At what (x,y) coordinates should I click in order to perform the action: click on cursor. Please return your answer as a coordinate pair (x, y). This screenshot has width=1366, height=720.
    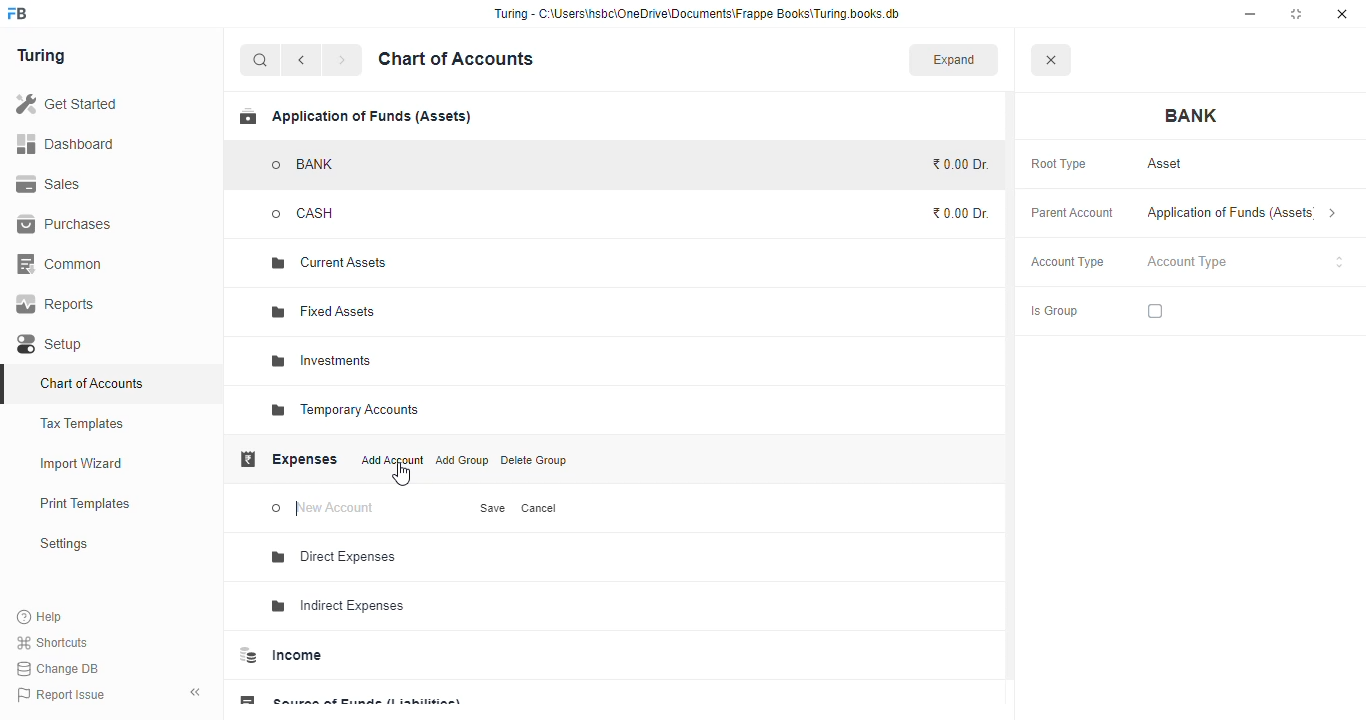
    Looking at the image, I should click on (401, 475).